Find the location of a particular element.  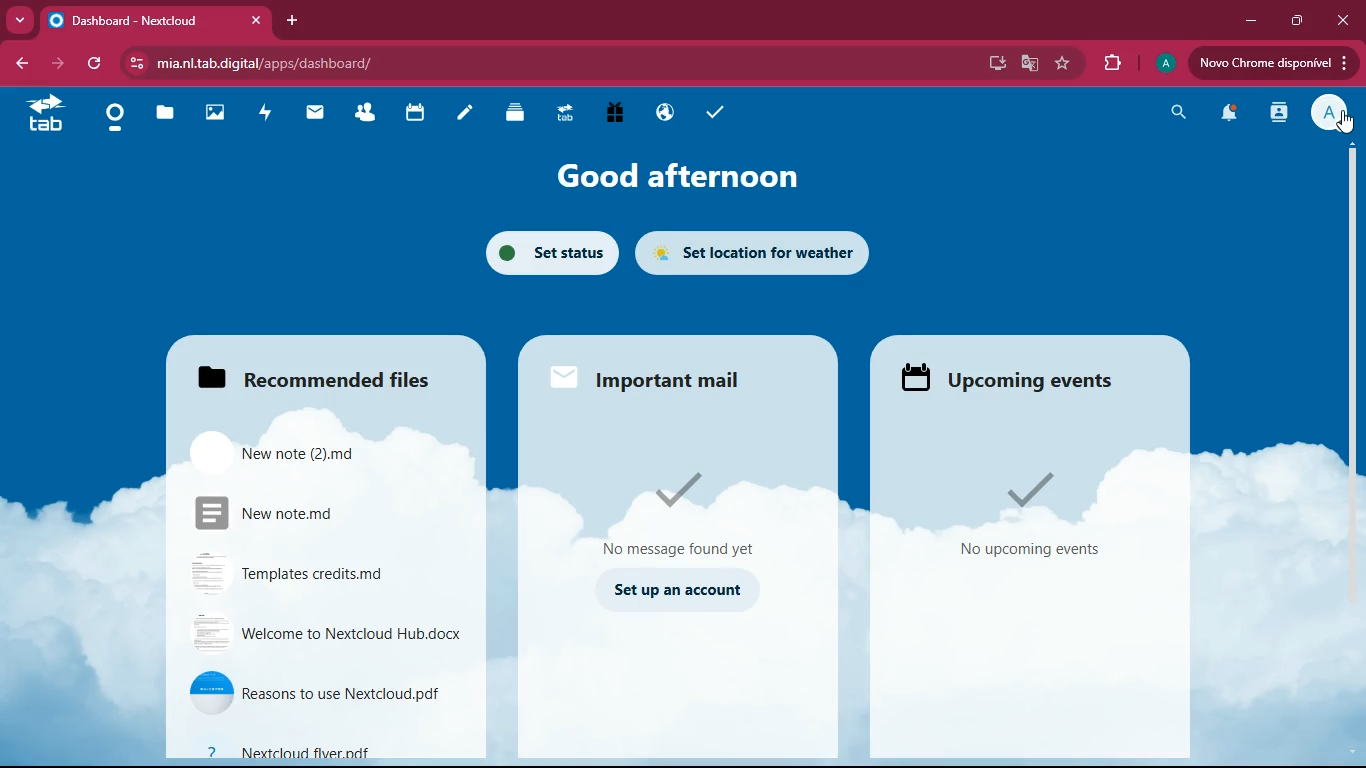

google translate is located at coordinates (1028, 61).